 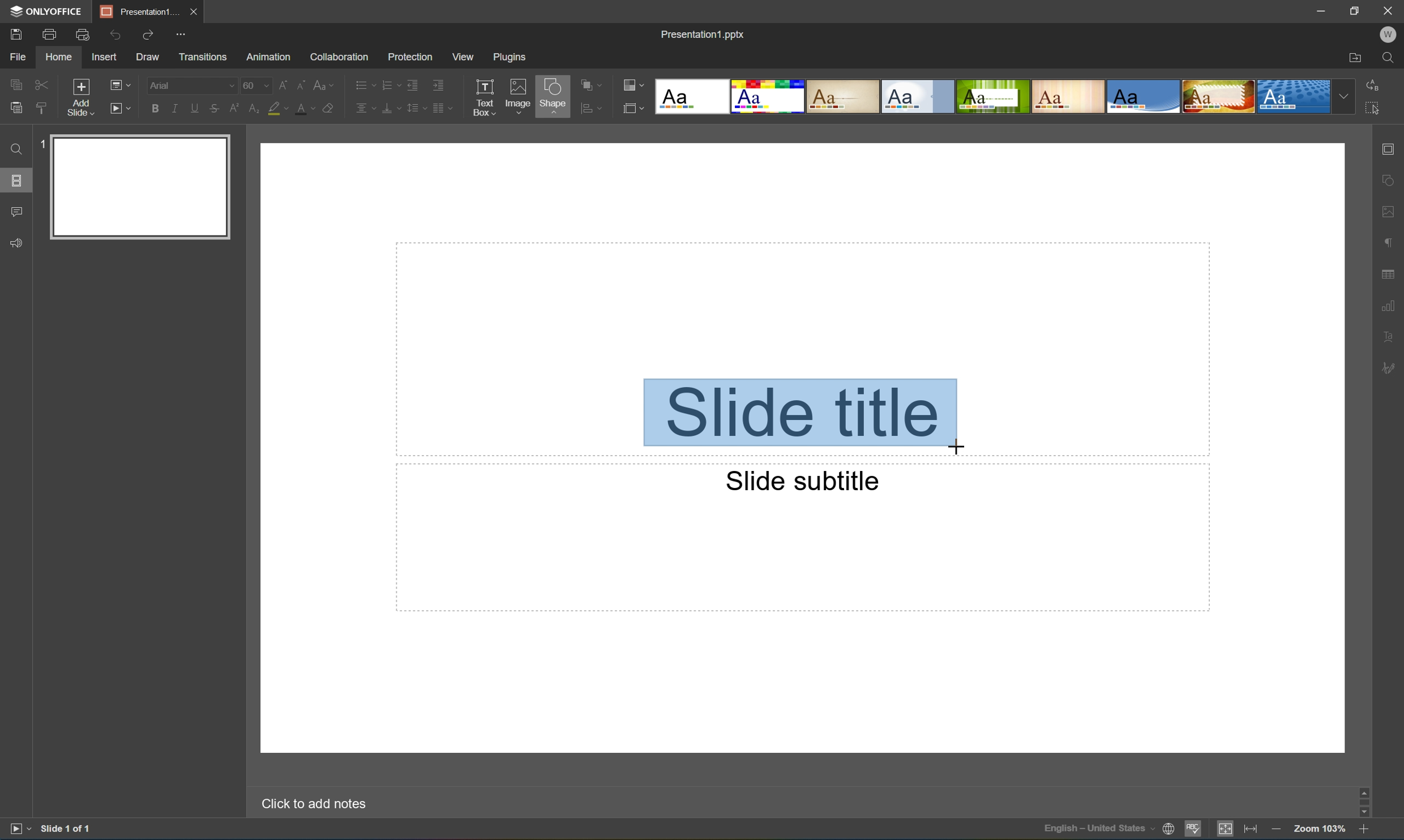 I want to click on Textart settings, so click(x=1389, y=338).